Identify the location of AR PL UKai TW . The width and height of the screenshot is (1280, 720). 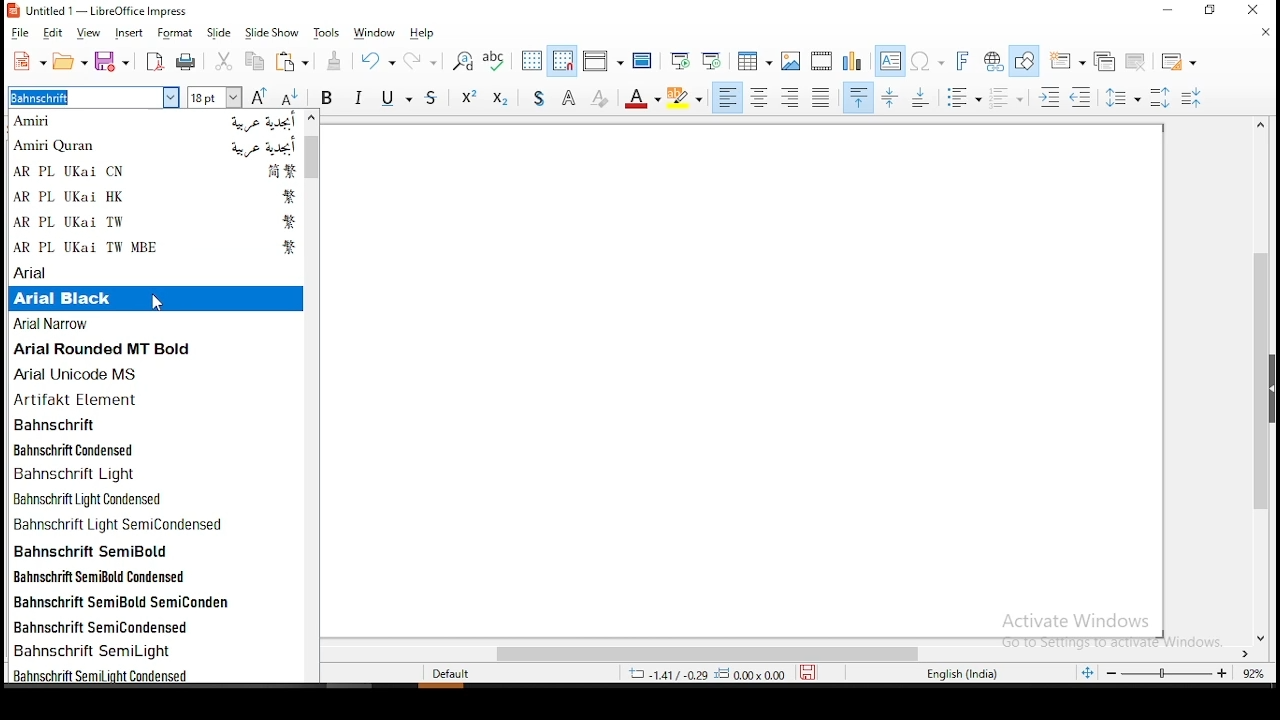
(158, 223).